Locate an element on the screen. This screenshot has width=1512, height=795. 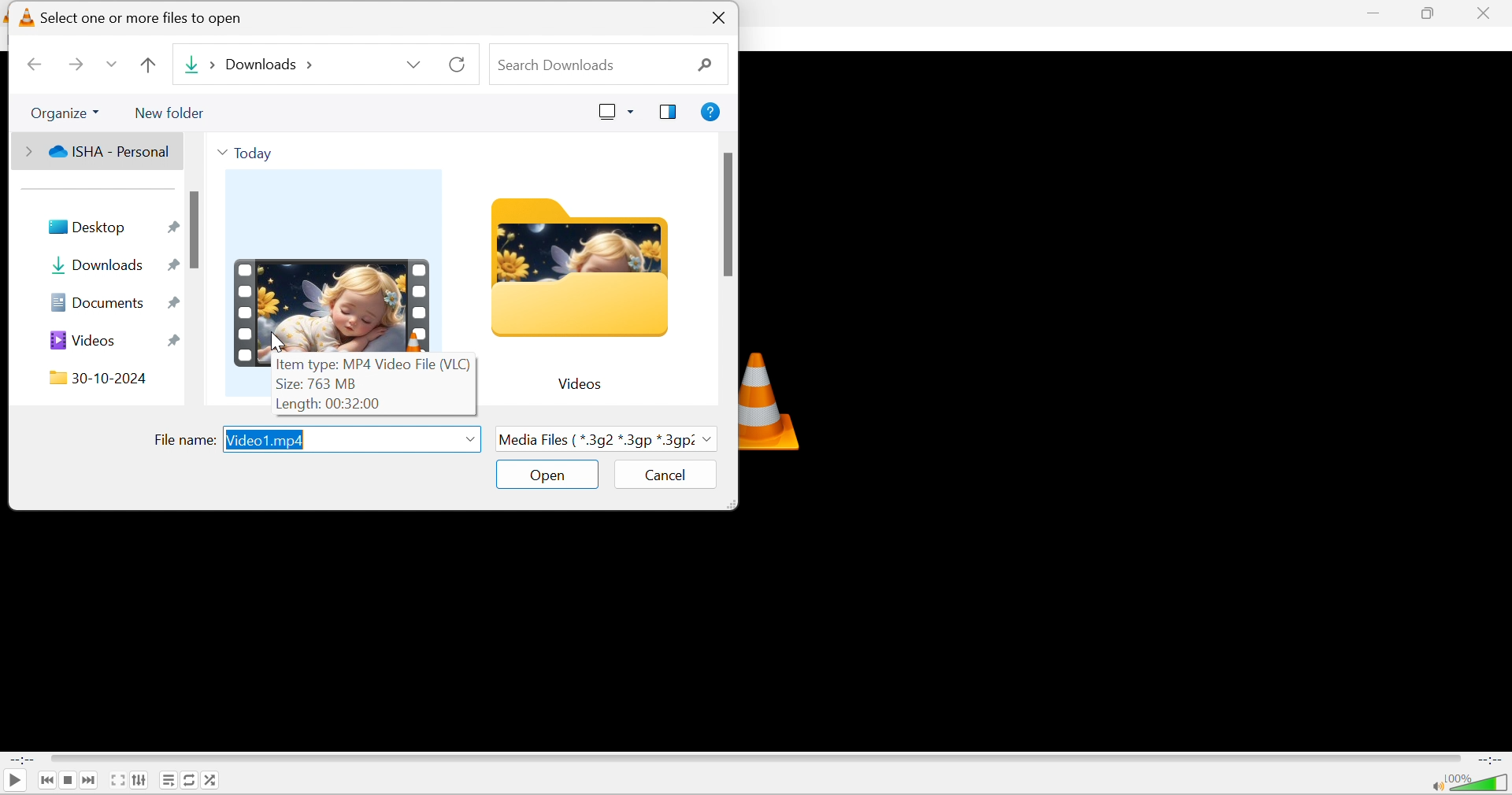
Previous media in the playlist, skip backward when held is located at coordinates (46, 782).